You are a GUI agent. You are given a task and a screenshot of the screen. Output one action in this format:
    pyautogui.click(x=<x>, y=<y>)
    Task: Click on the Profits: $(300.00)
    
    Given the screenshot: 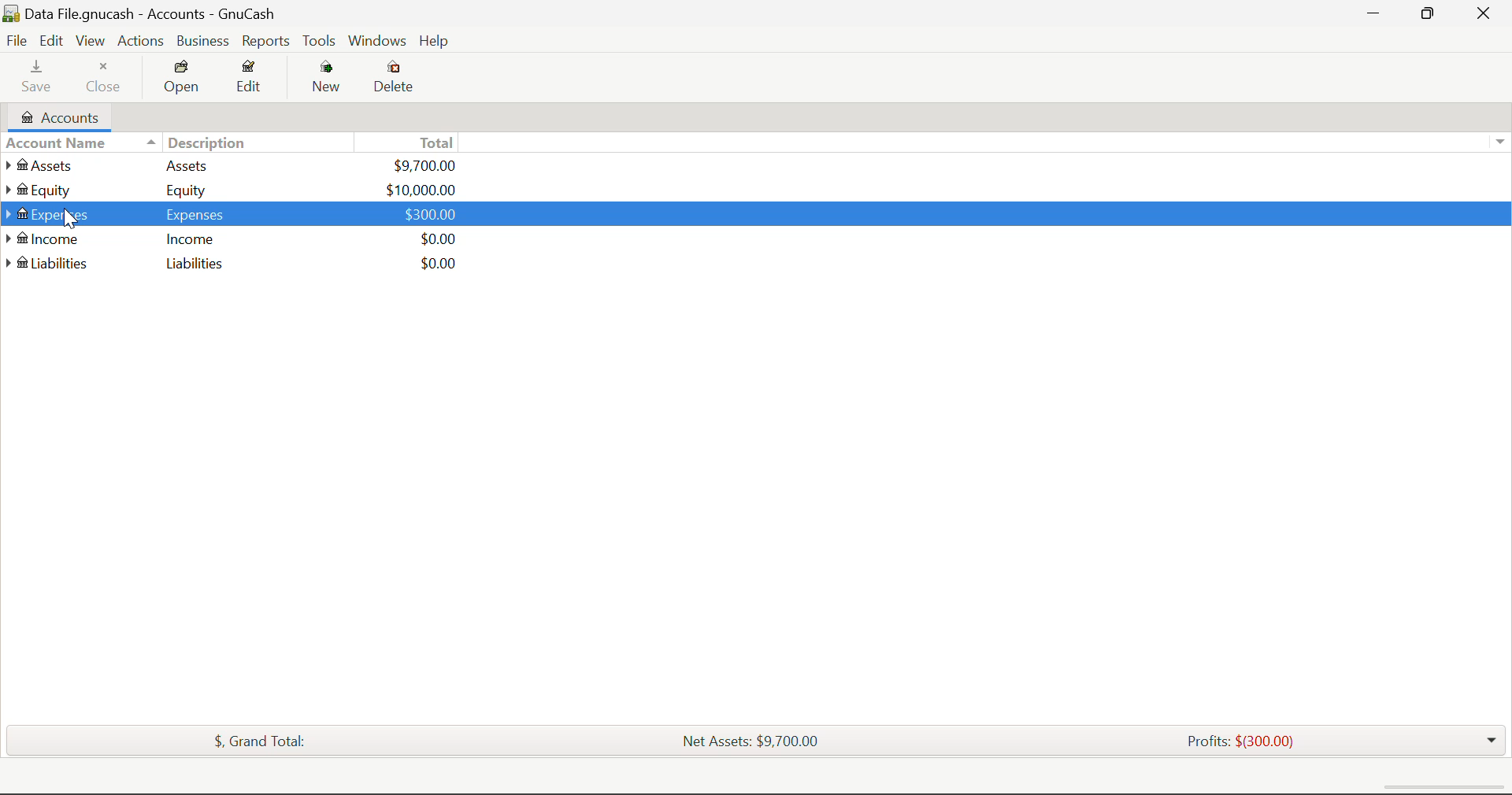 What is the action you would take?
    pyautogui.click(x=1238, y=741)
    